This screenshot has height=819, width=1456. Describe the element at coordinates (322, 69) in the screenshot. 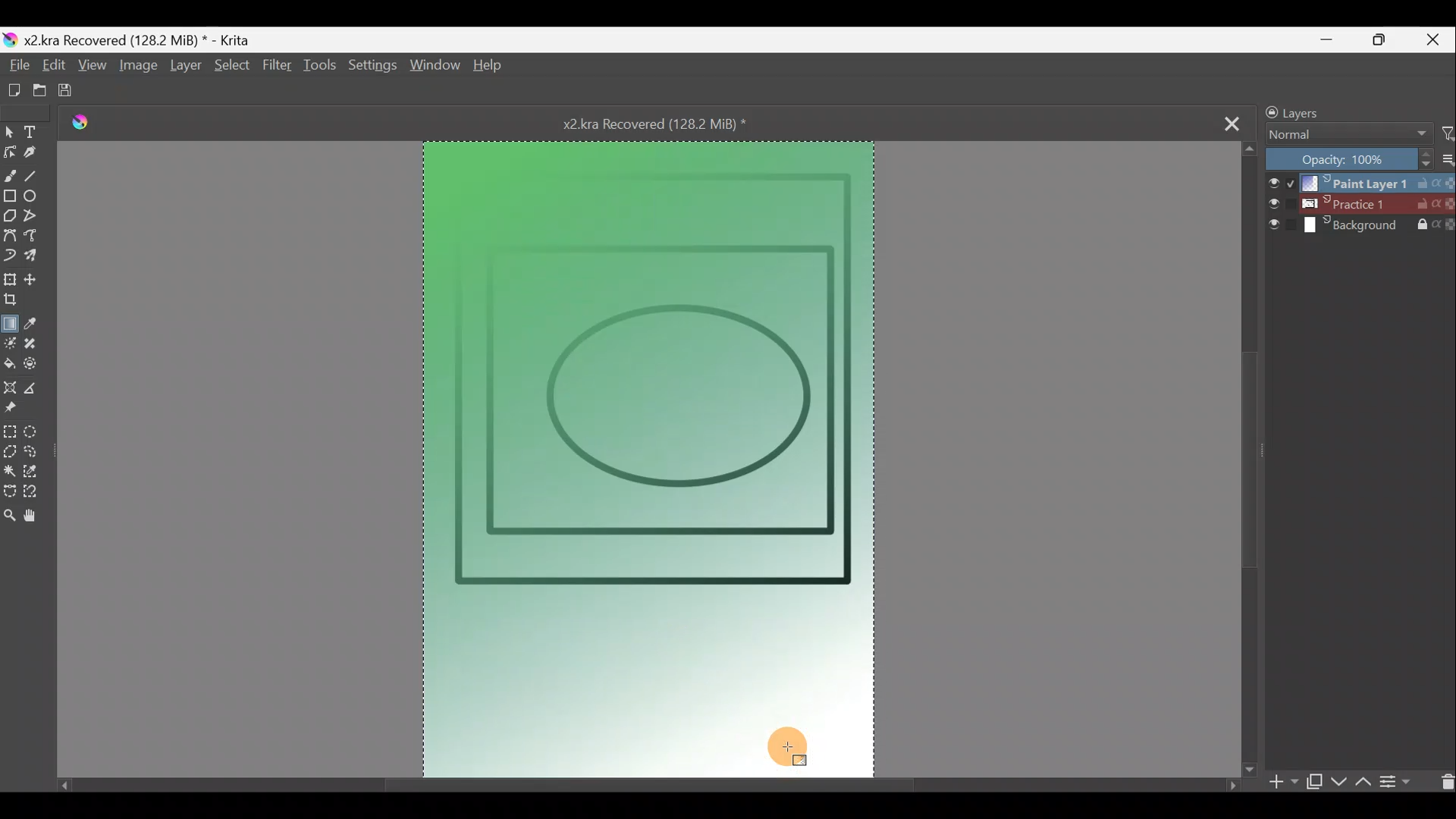

I see `Tools` at that location.